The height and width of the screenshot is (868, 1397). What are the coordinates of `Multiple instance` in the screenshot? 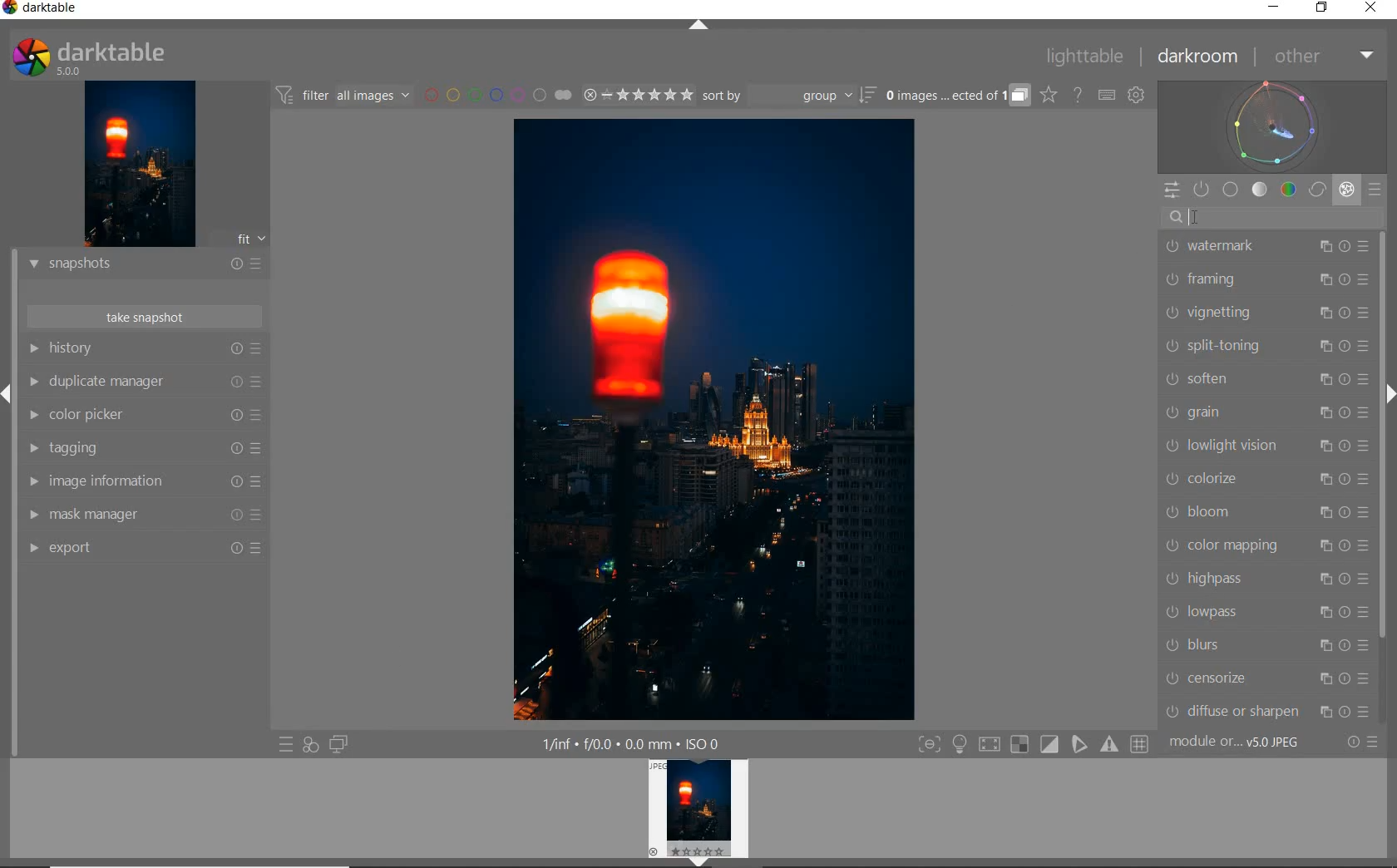 It's located at (1318, 346).